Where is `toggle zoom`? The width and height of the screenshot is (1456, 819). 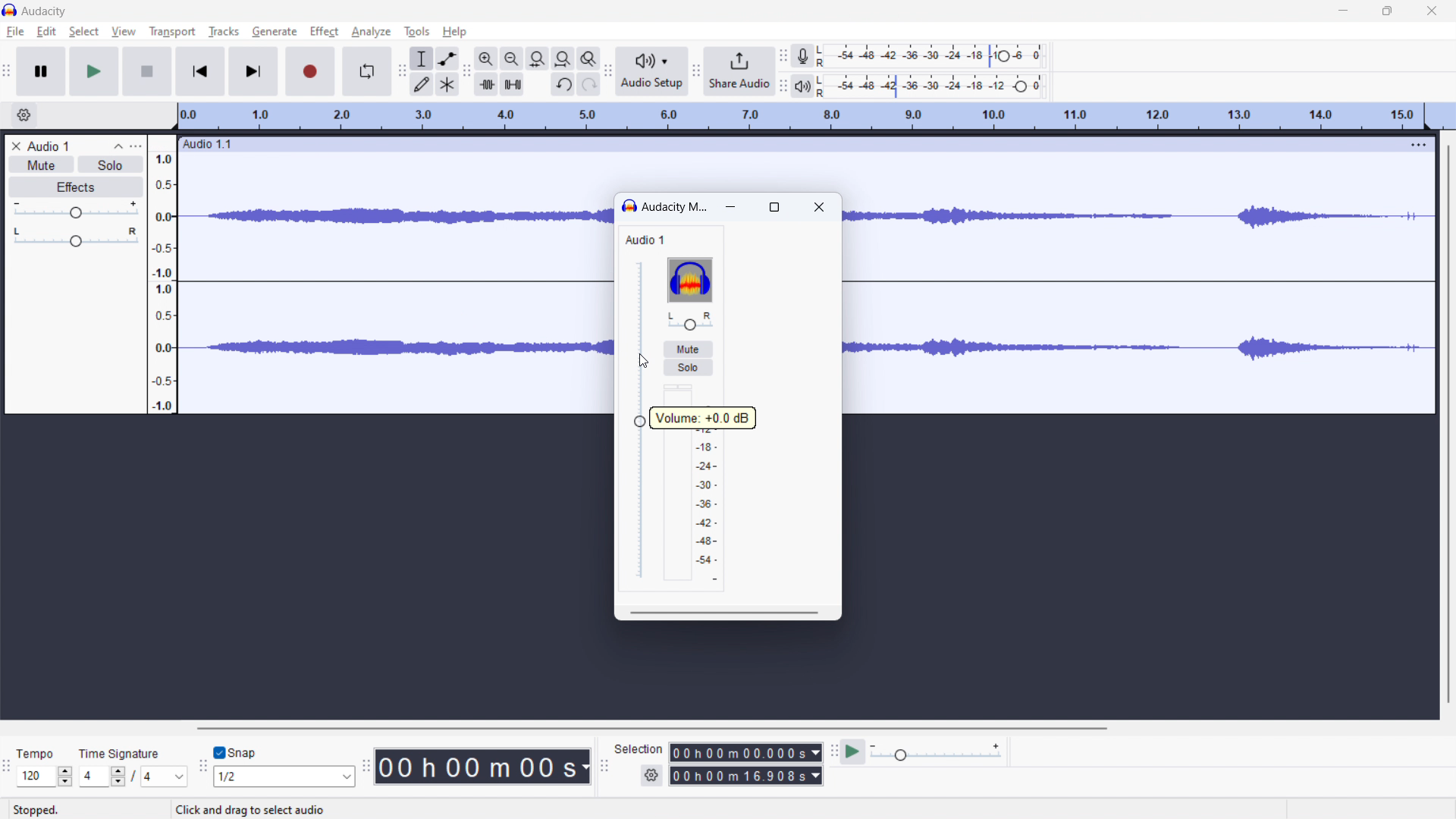
toggle zoom is located at coordinates (588, 58).